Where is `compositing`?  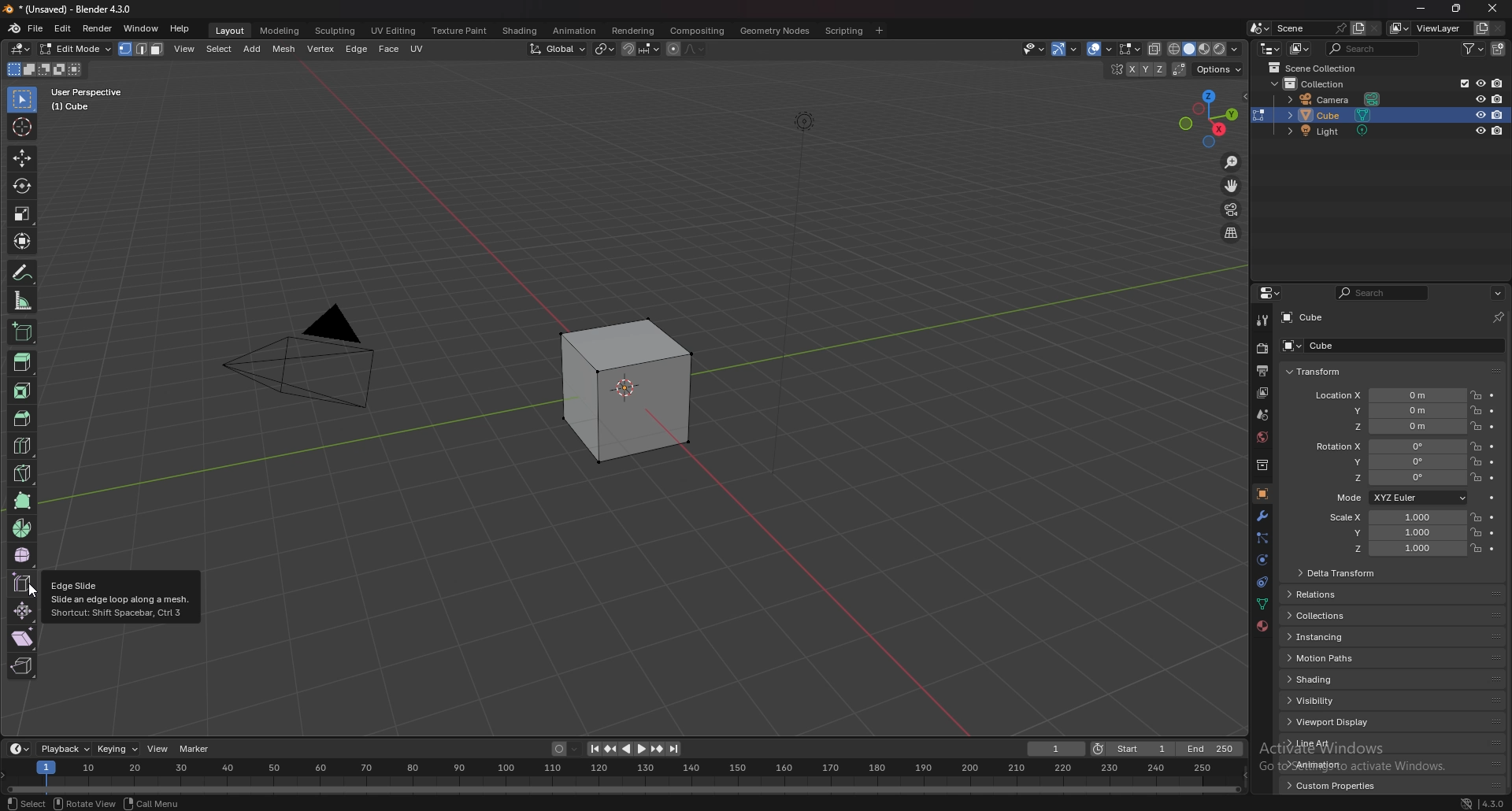
compositing is located at coordinates (698, 31).